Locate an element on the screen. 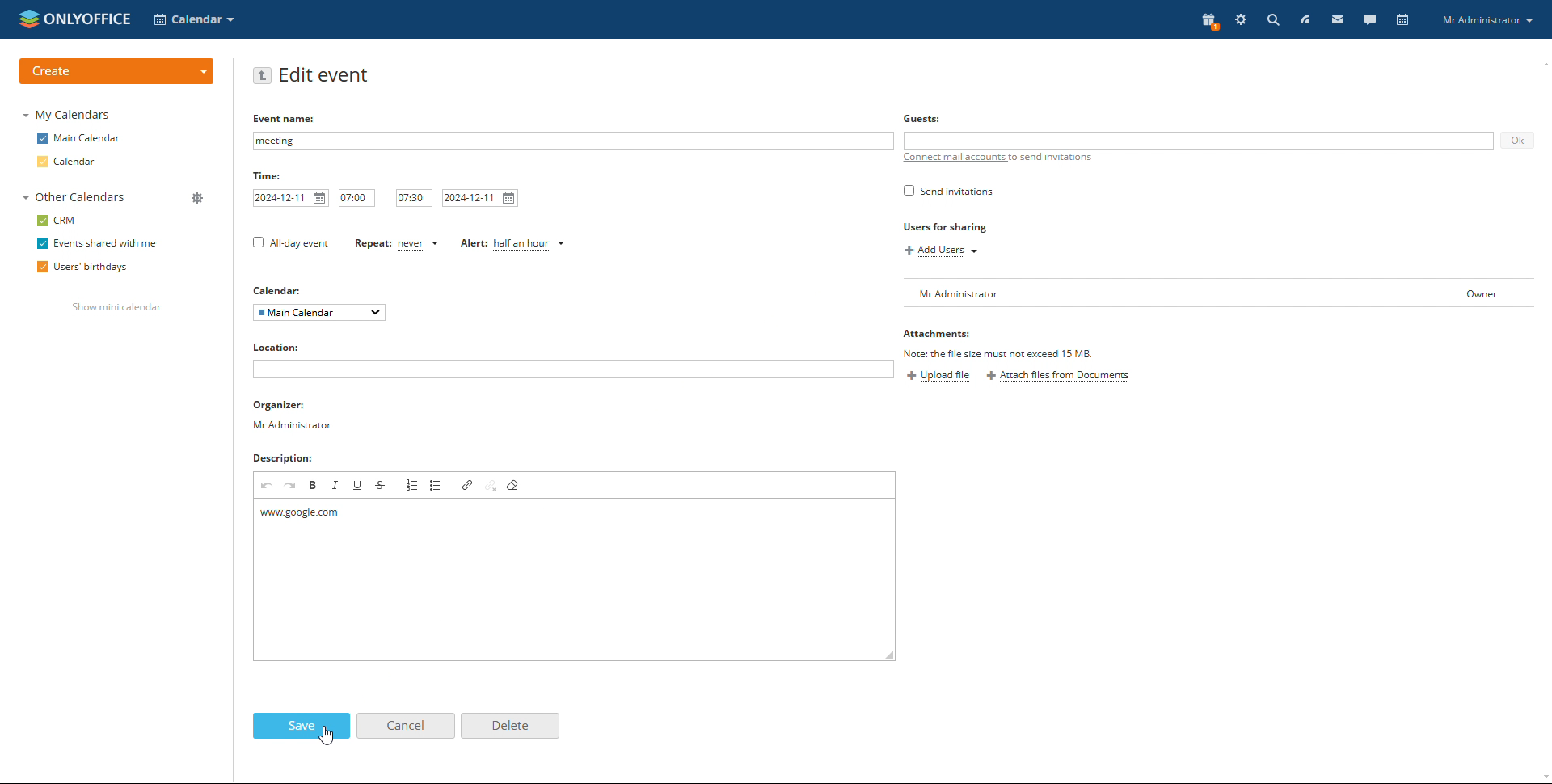  Description: is located at coordinates (282, 457).